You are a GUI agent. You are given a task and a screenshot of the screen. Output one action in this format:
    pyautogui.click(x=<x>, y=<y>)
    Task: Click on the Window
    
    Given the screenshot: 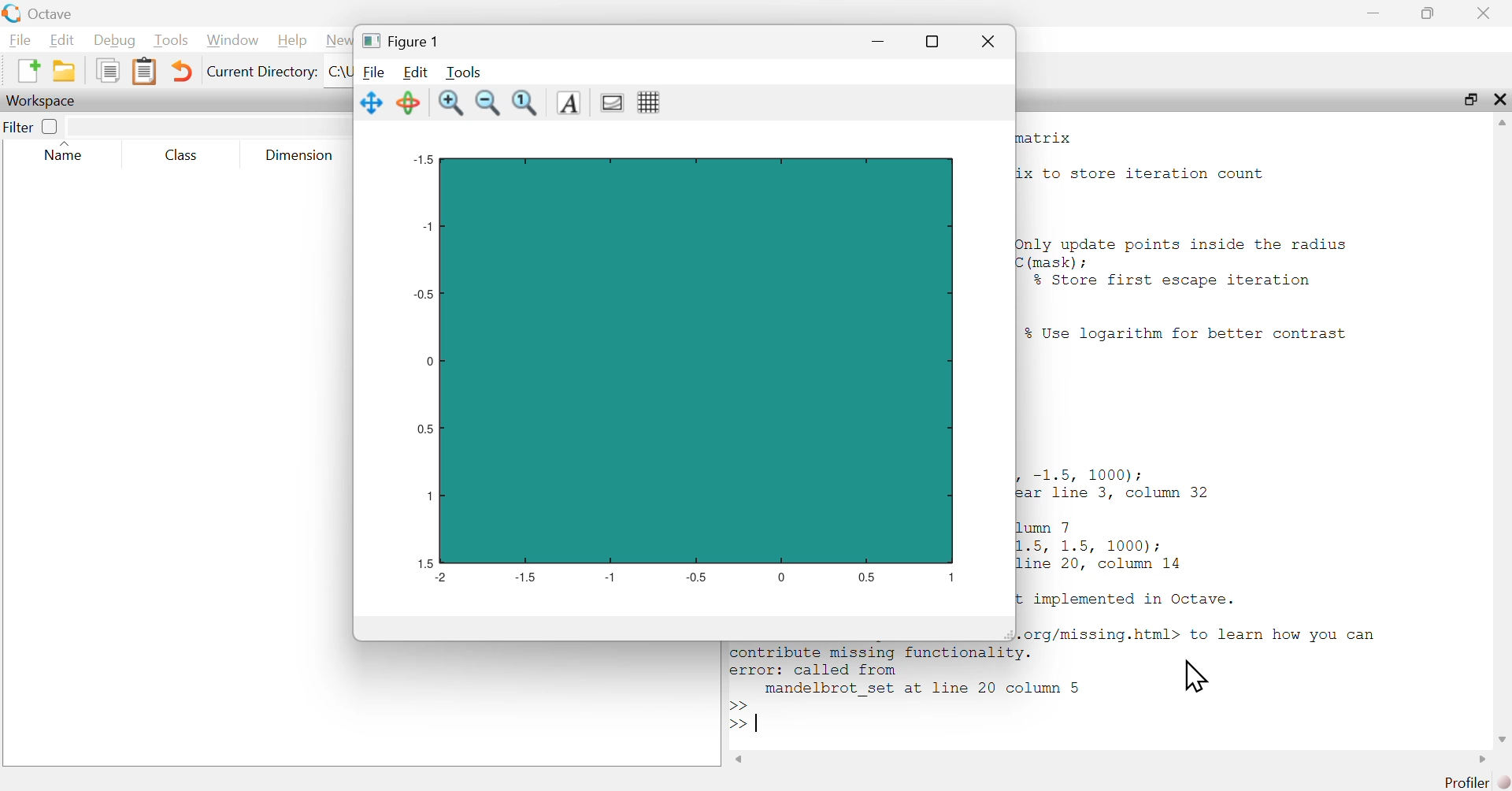 What is the action you would take?
    pyautogui.click(x=231, y=41)
    